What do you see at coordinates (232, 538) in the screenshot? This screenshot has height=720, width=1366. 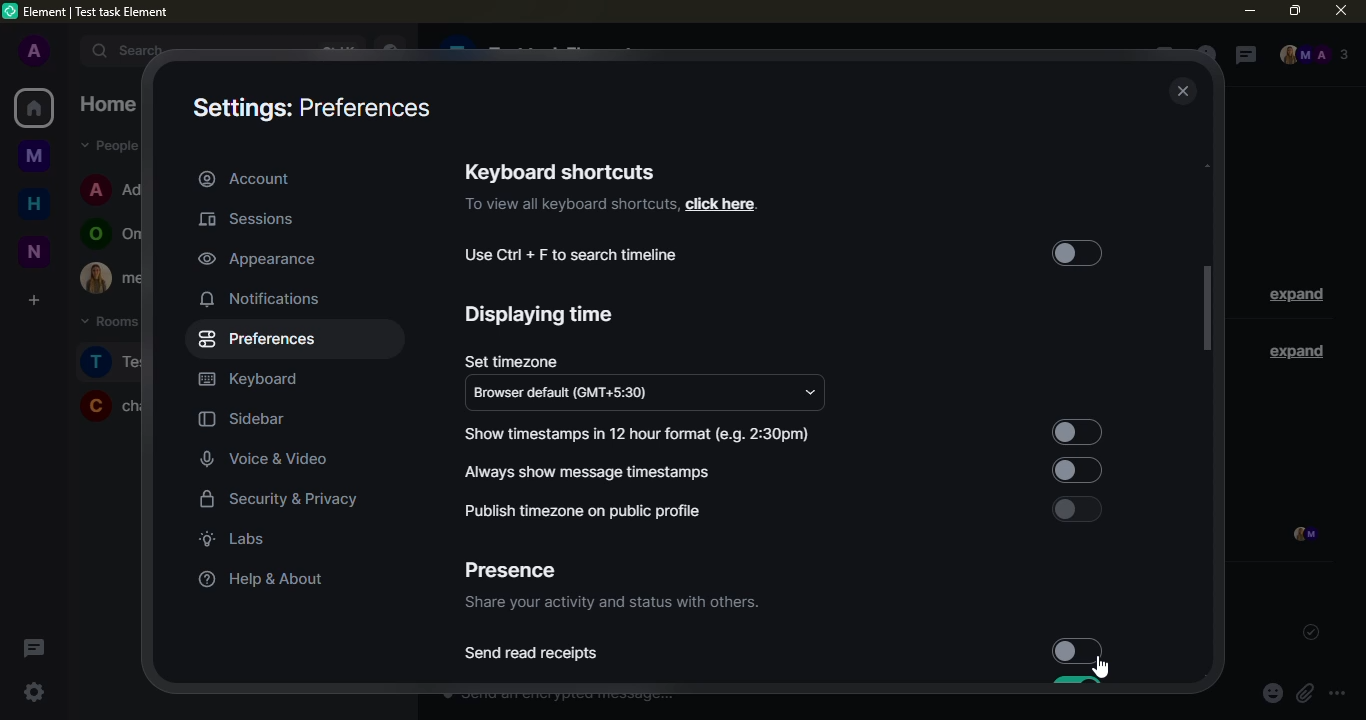 I see `labs` at bounding box center [232, 538].